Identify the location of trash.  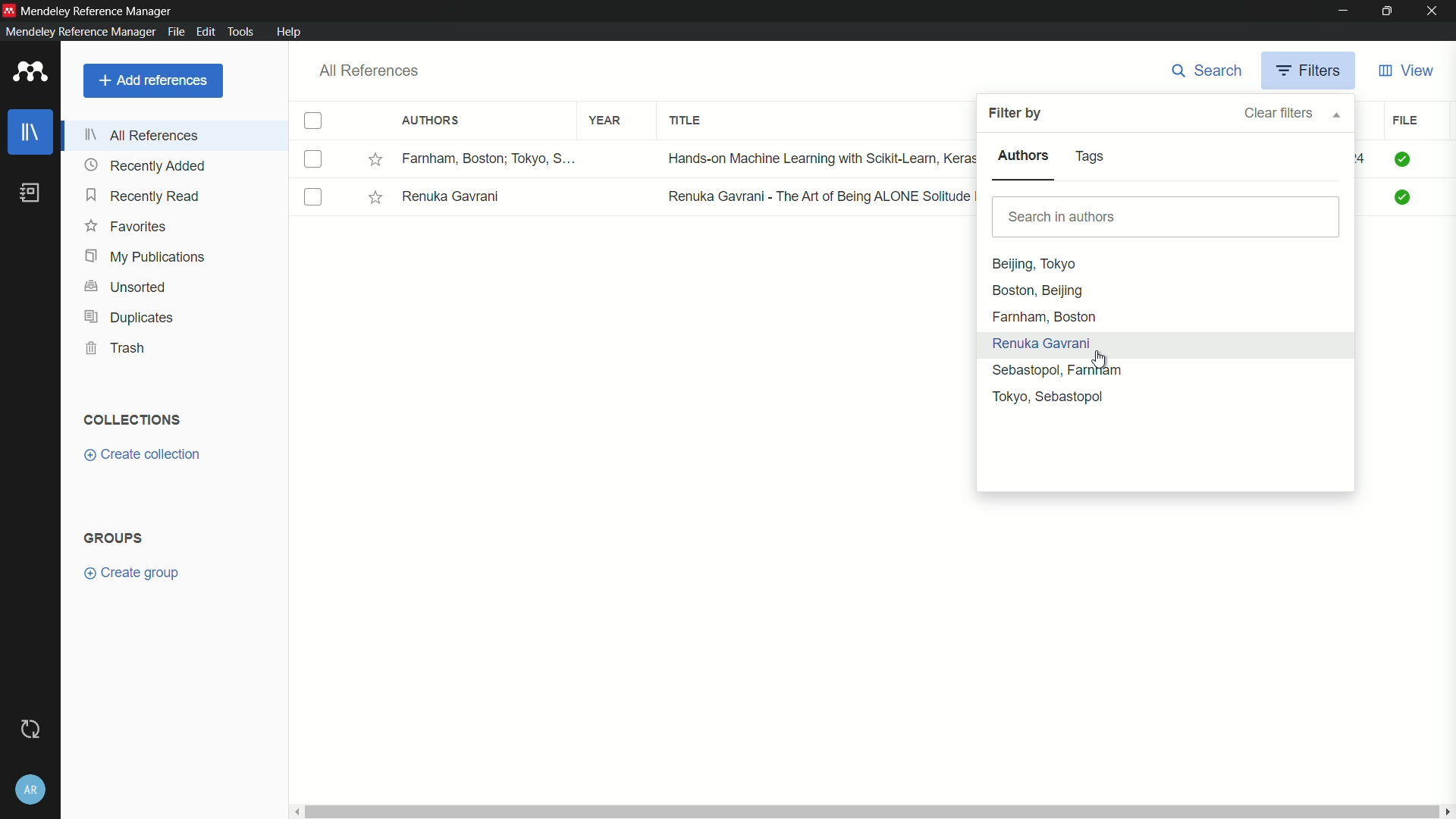
(117, 348).